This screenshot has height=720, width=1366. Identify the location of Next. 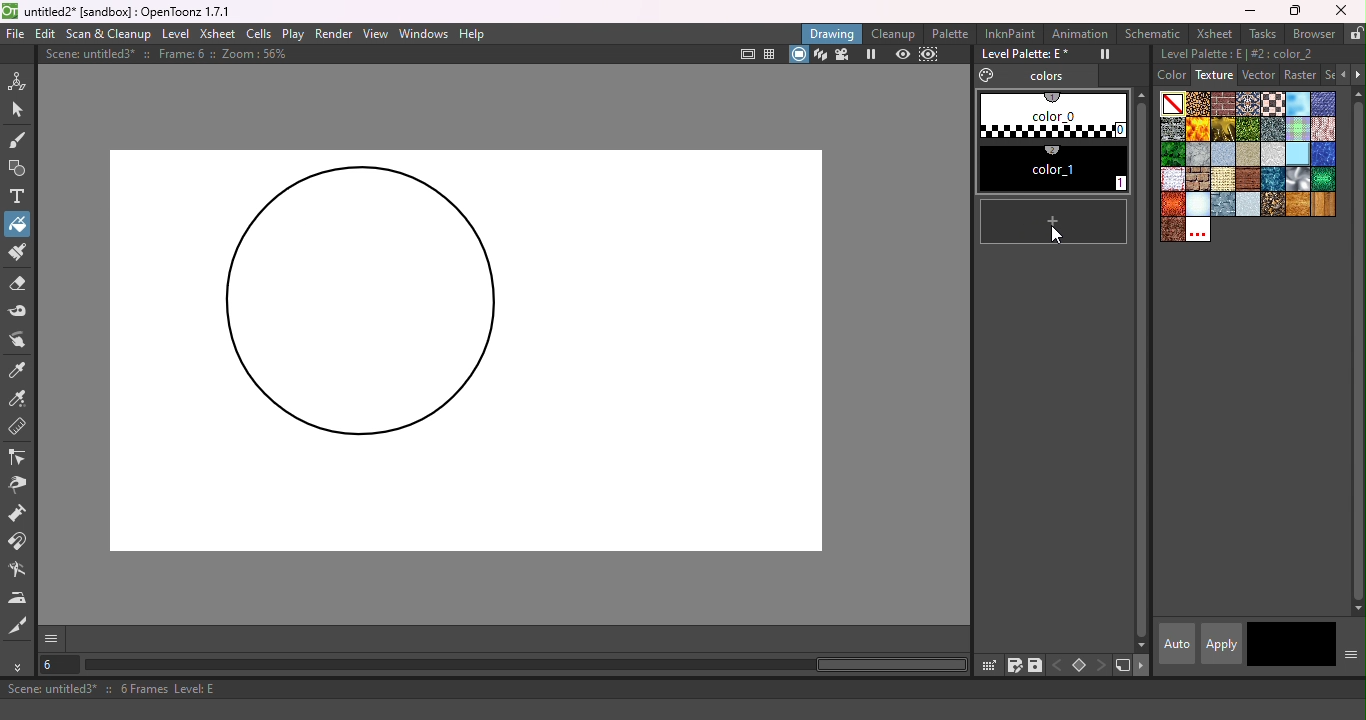
(1357, 75).